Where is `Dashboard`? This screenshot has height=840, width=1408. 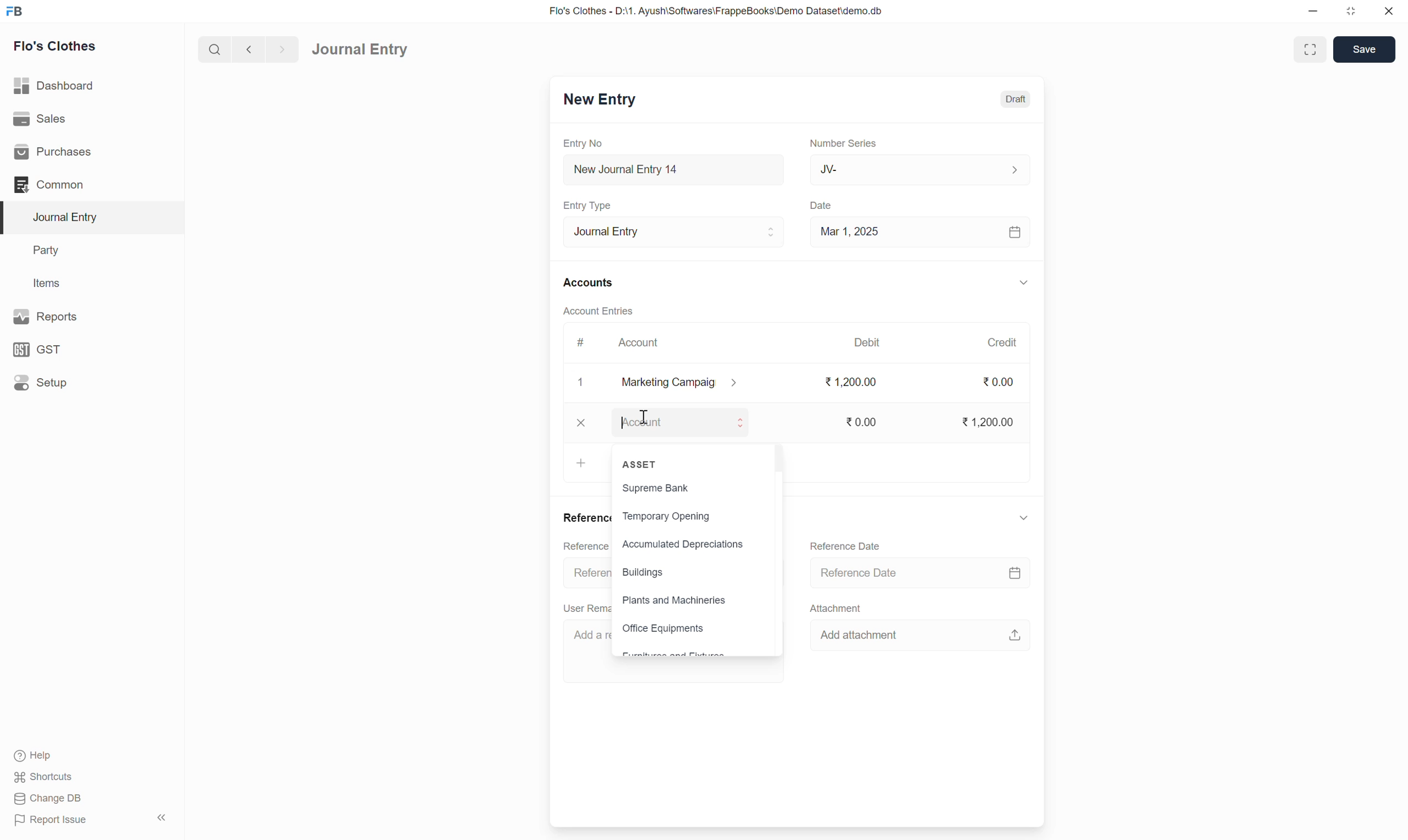 Dashboard is located at coordinates (55, 85).